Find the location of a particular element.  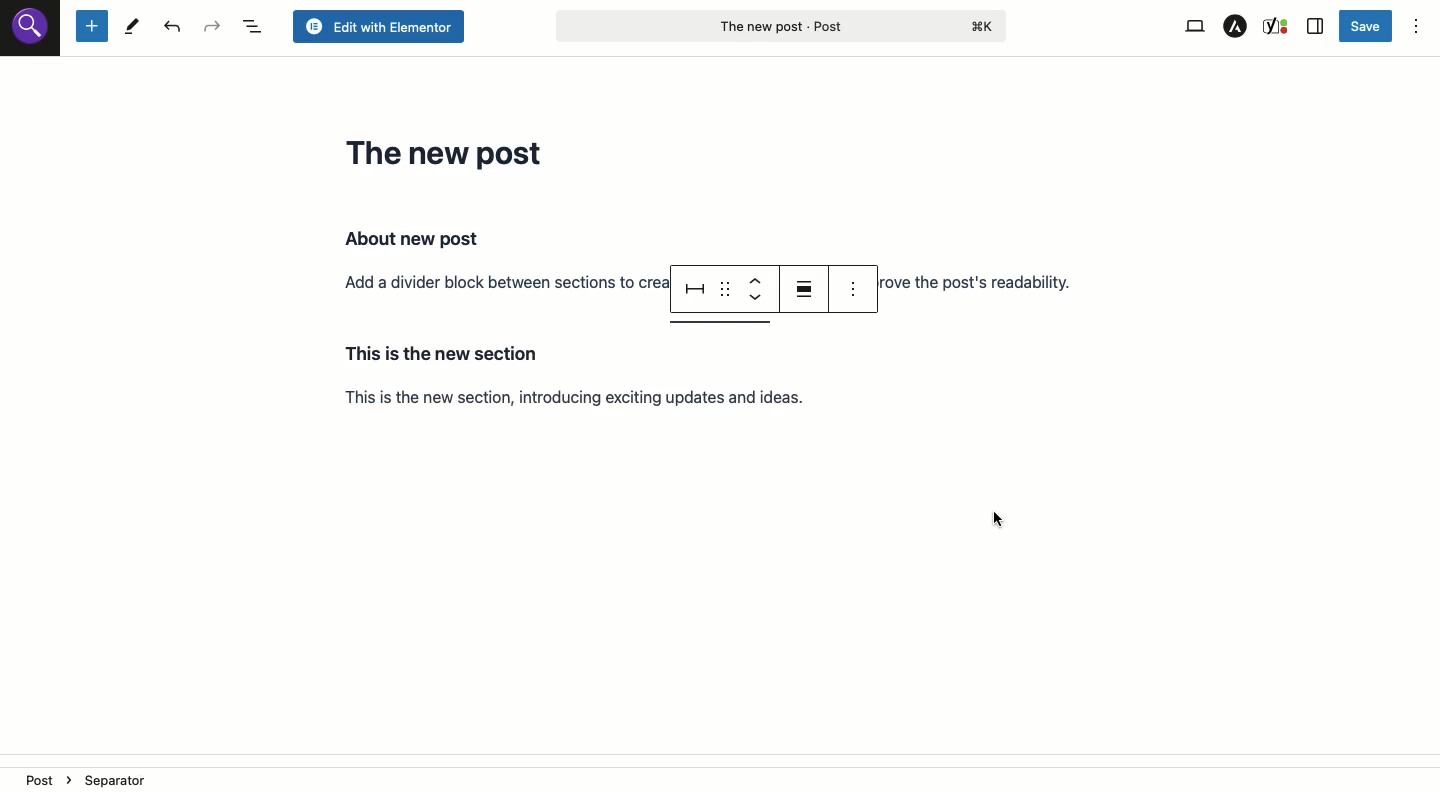

Options is located at coordinates (853, 286).